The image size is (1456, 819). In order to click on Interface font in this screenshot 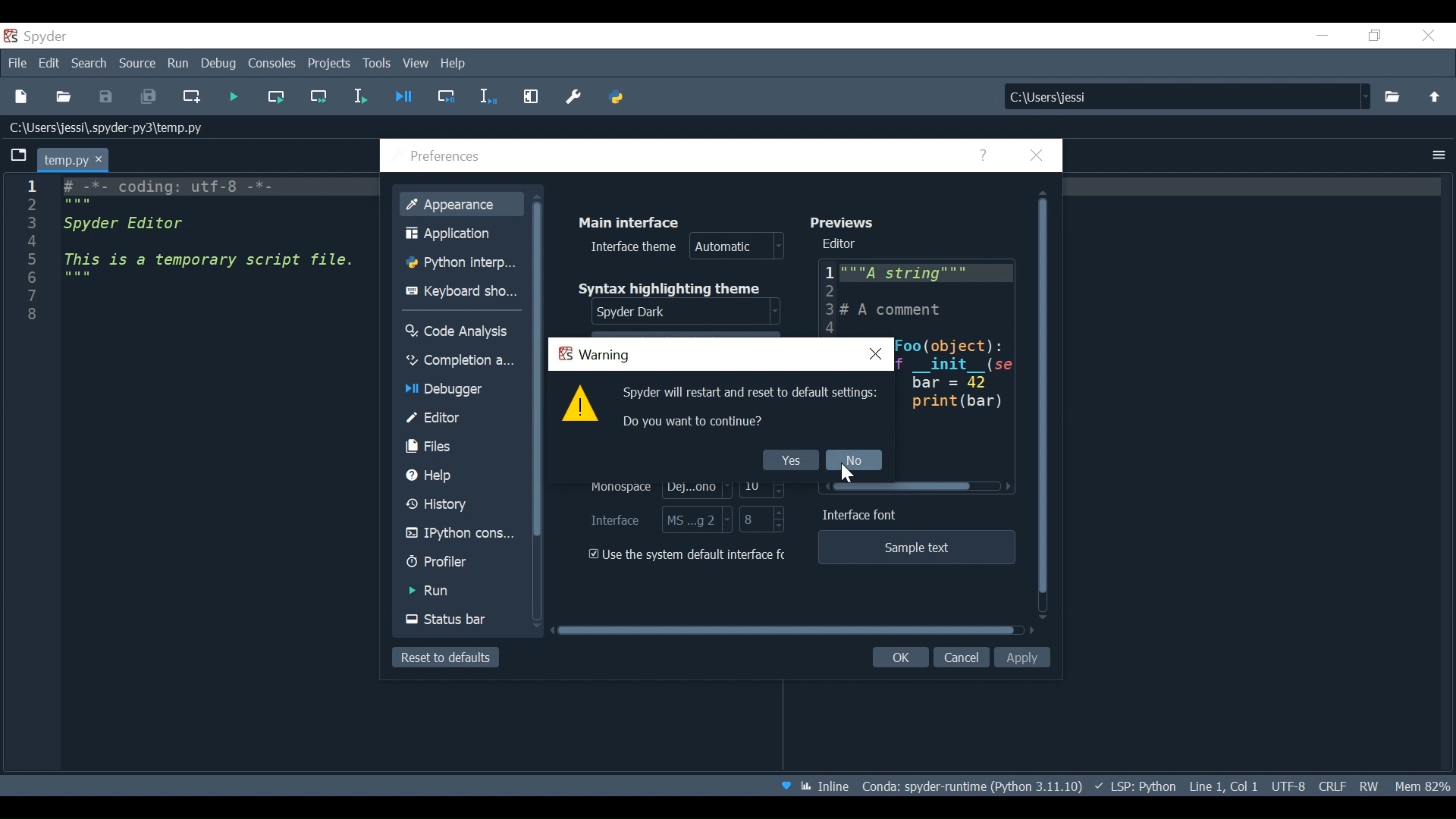, I will do `click(863, 515)`.